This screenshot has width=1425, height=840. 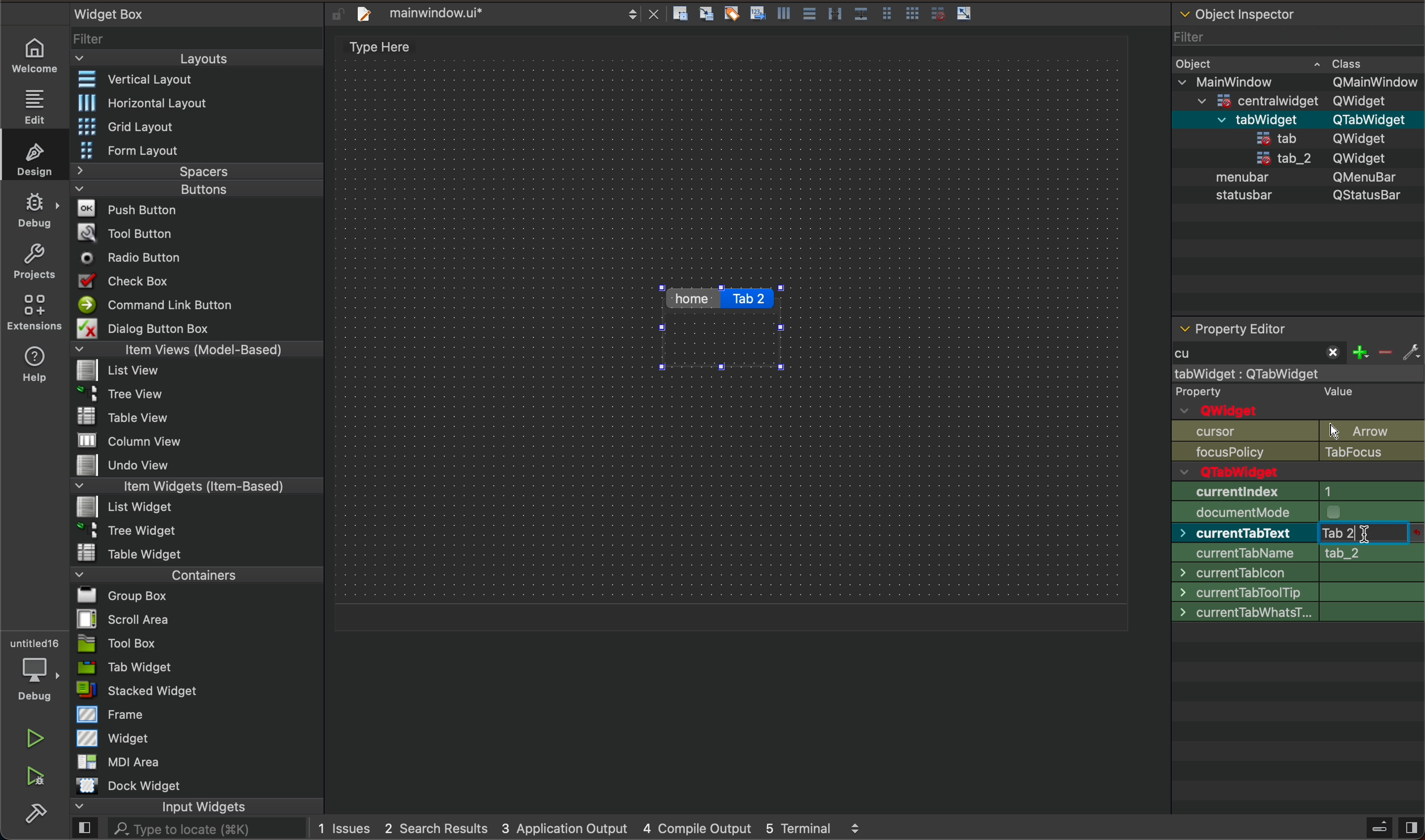 What do you see at coordinates (1295, 400) in the screenshot?
I see `qobject` at bounding box center [1295, 400].